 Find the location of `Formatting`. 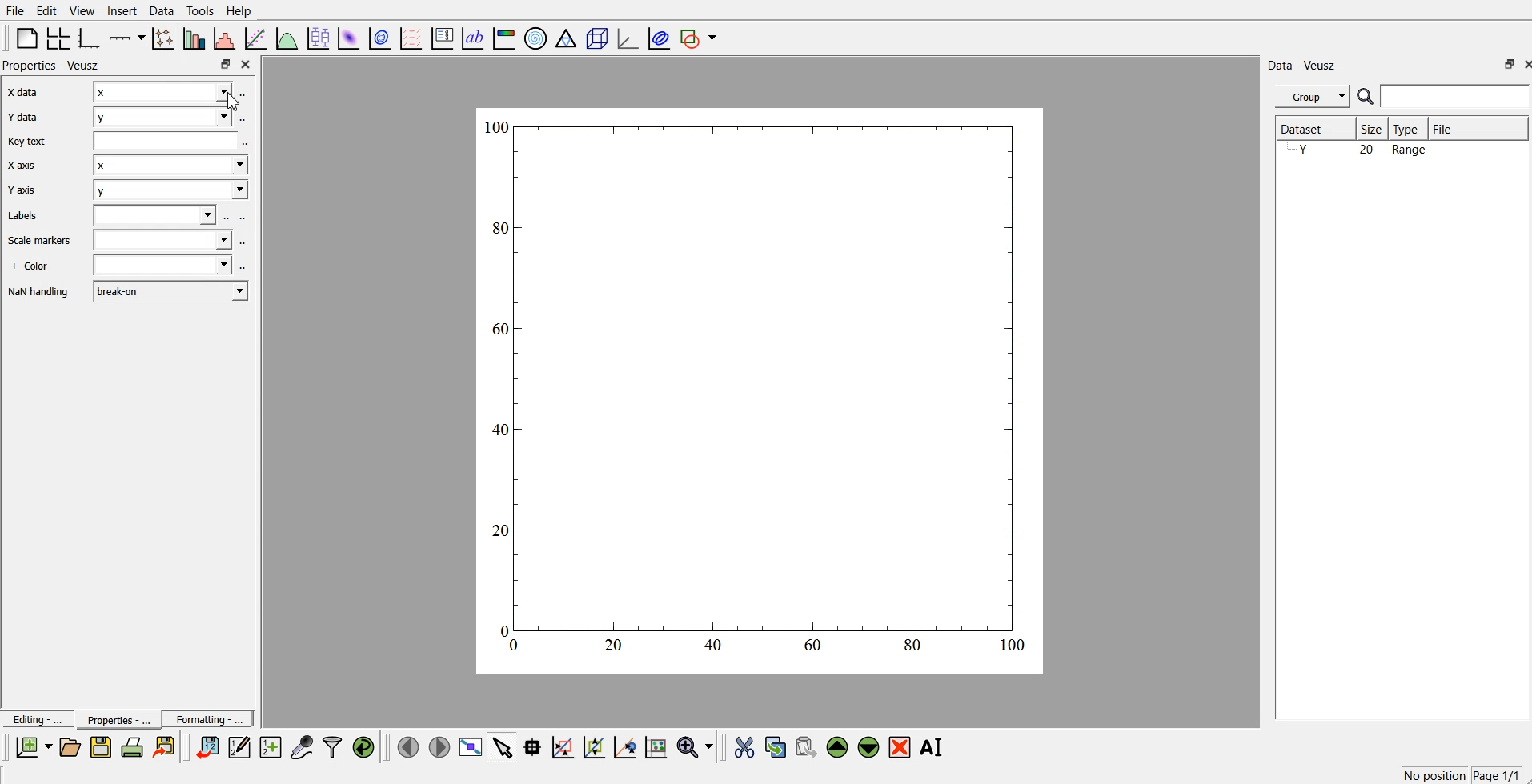

Formatting is located at coordinates (208, 717).